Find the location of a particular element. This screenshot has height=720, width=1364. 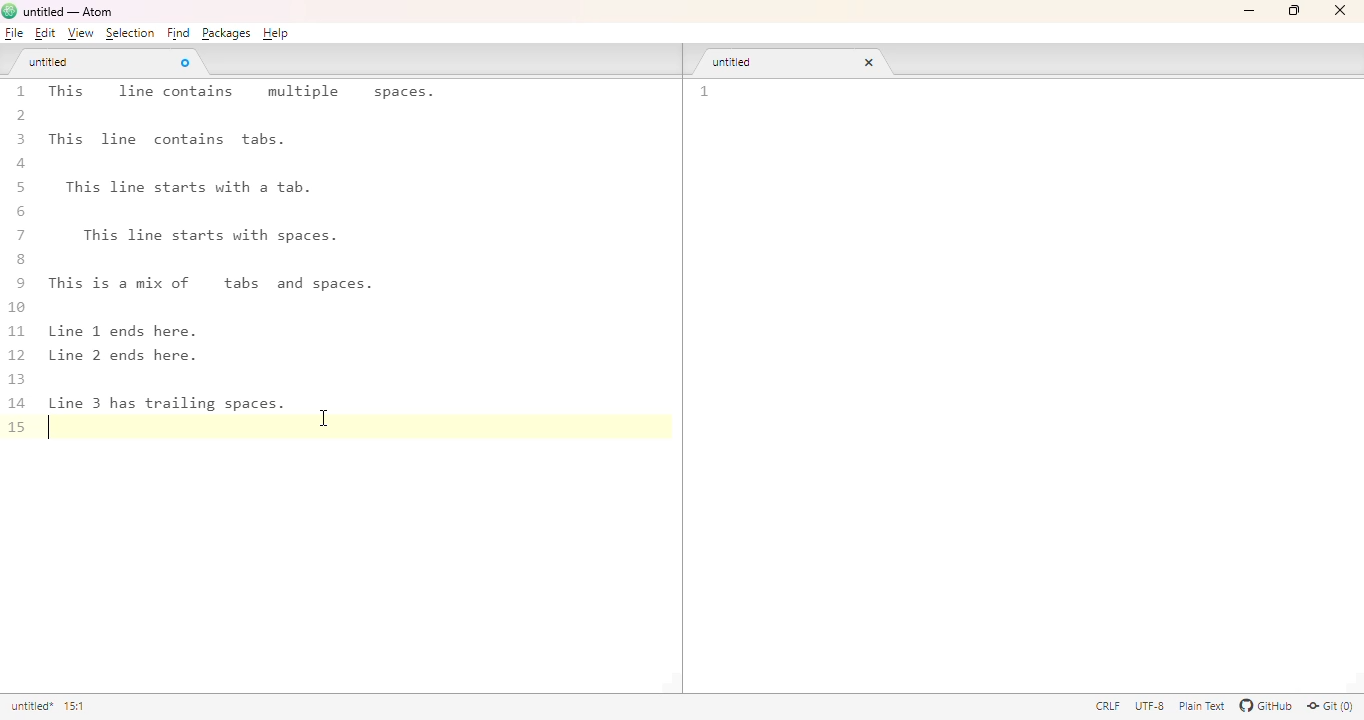

selection is located at coordinates (131, 33).